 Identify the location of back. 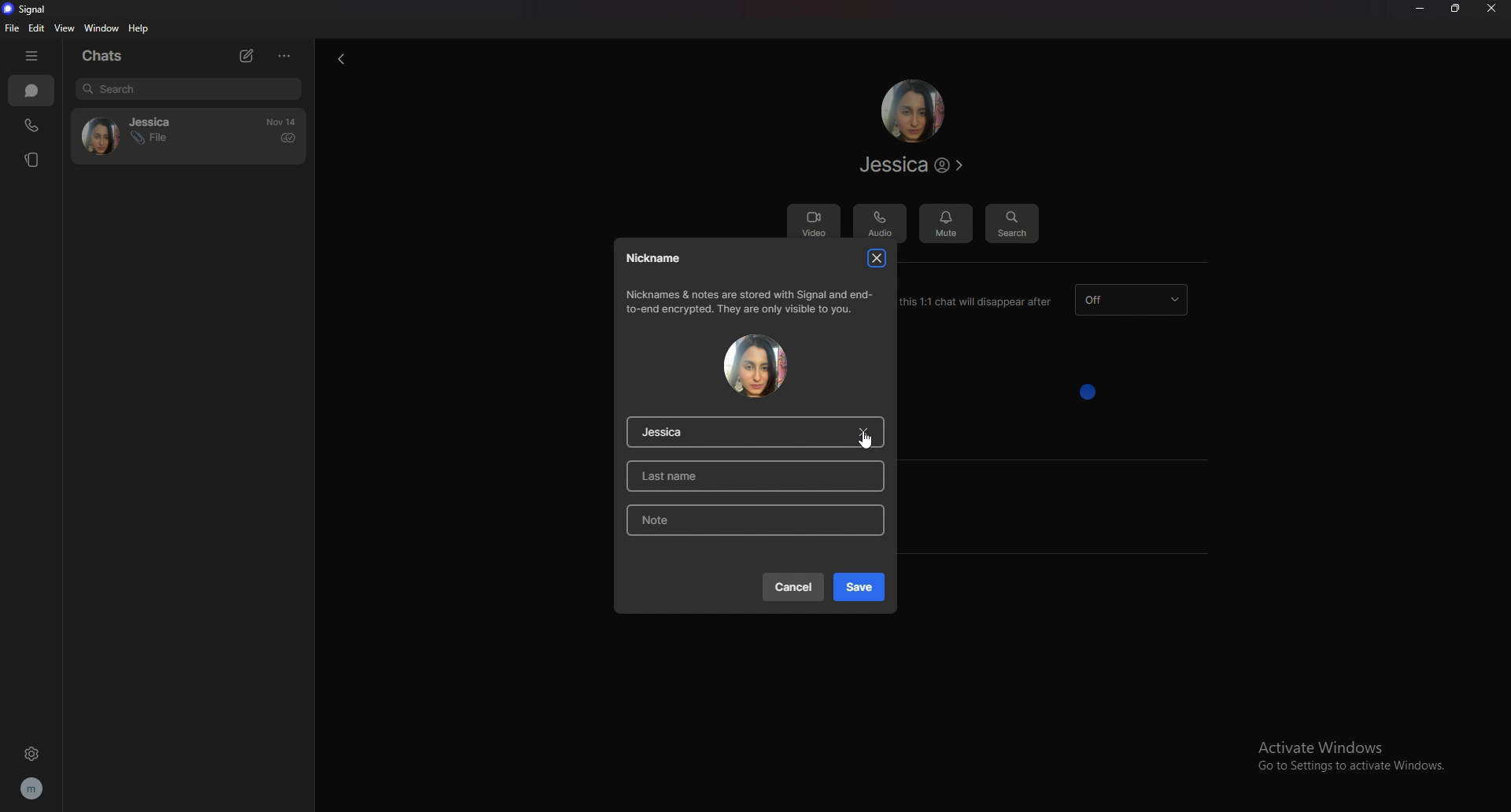
(341, 58).